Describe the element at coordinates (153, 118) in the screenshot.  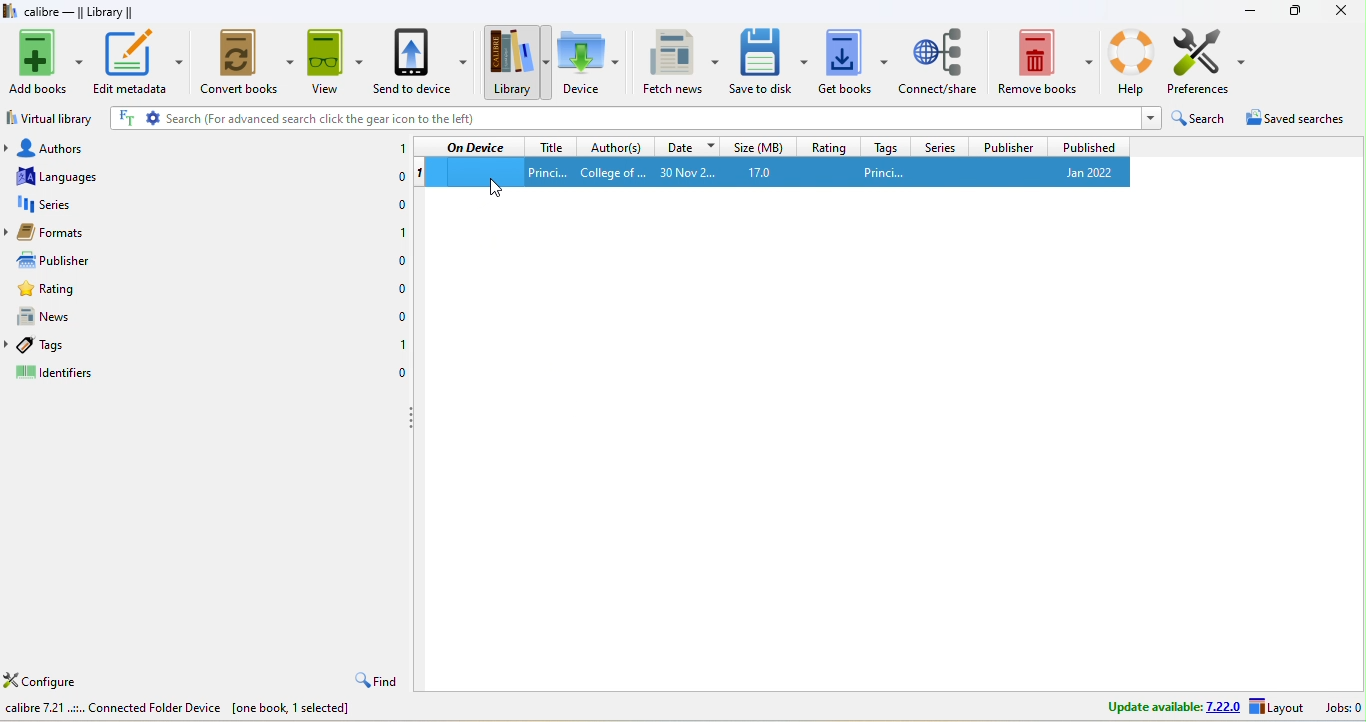
I see `settings` at that location.